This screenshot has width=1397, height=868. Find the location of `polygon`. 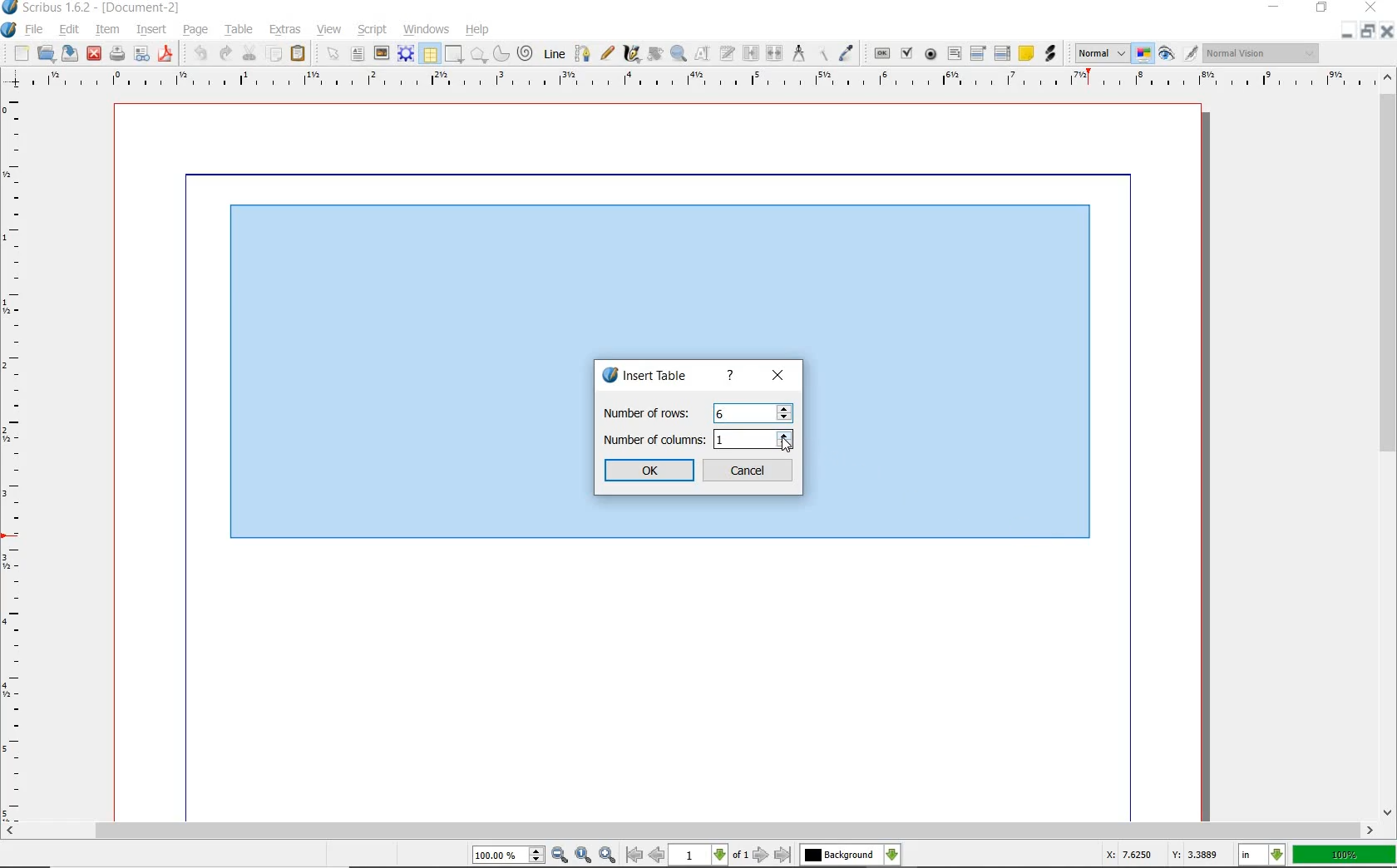

polygon is located at coordinates (478, 55).